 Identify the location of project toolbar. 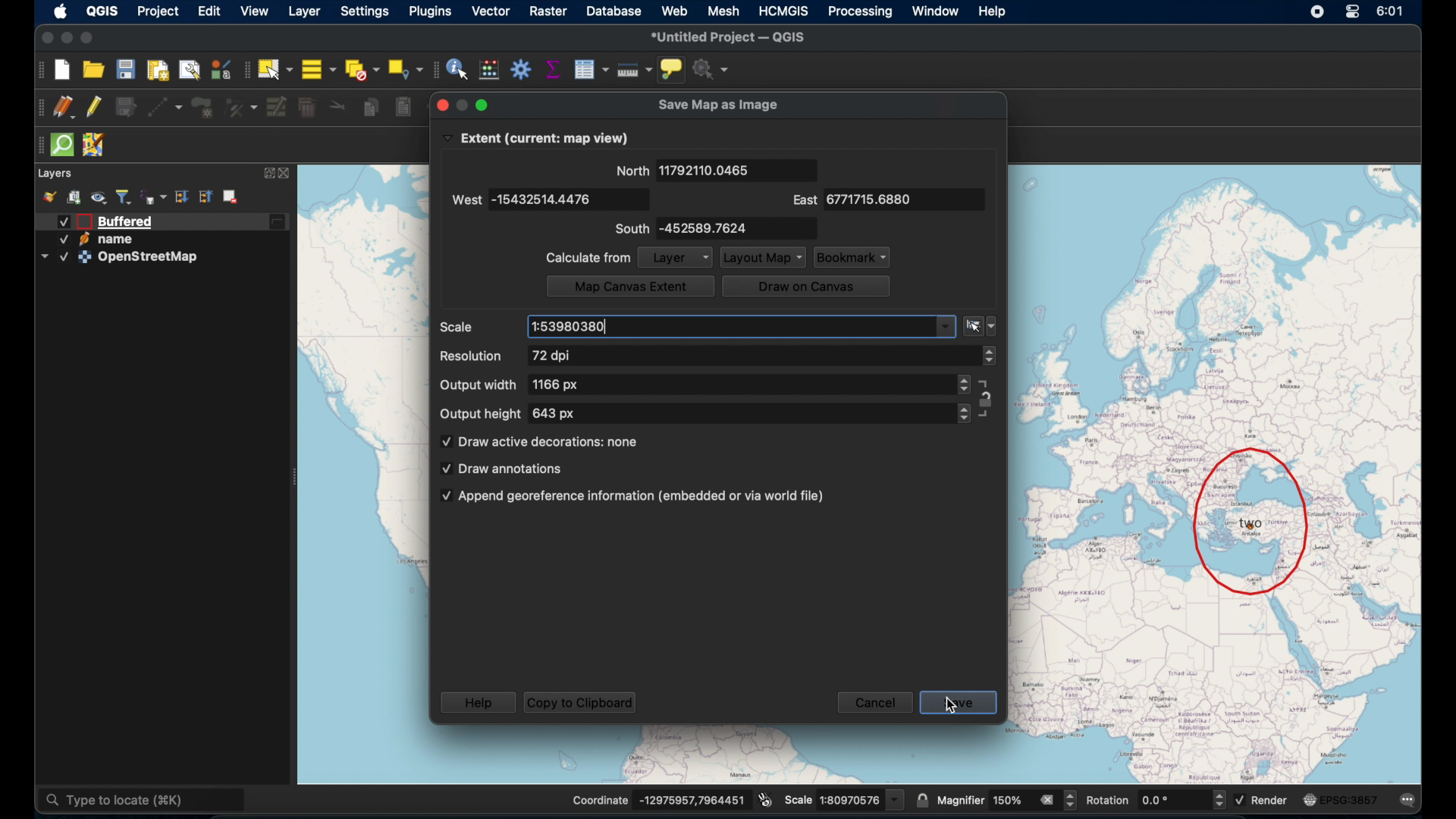
(39, 70).